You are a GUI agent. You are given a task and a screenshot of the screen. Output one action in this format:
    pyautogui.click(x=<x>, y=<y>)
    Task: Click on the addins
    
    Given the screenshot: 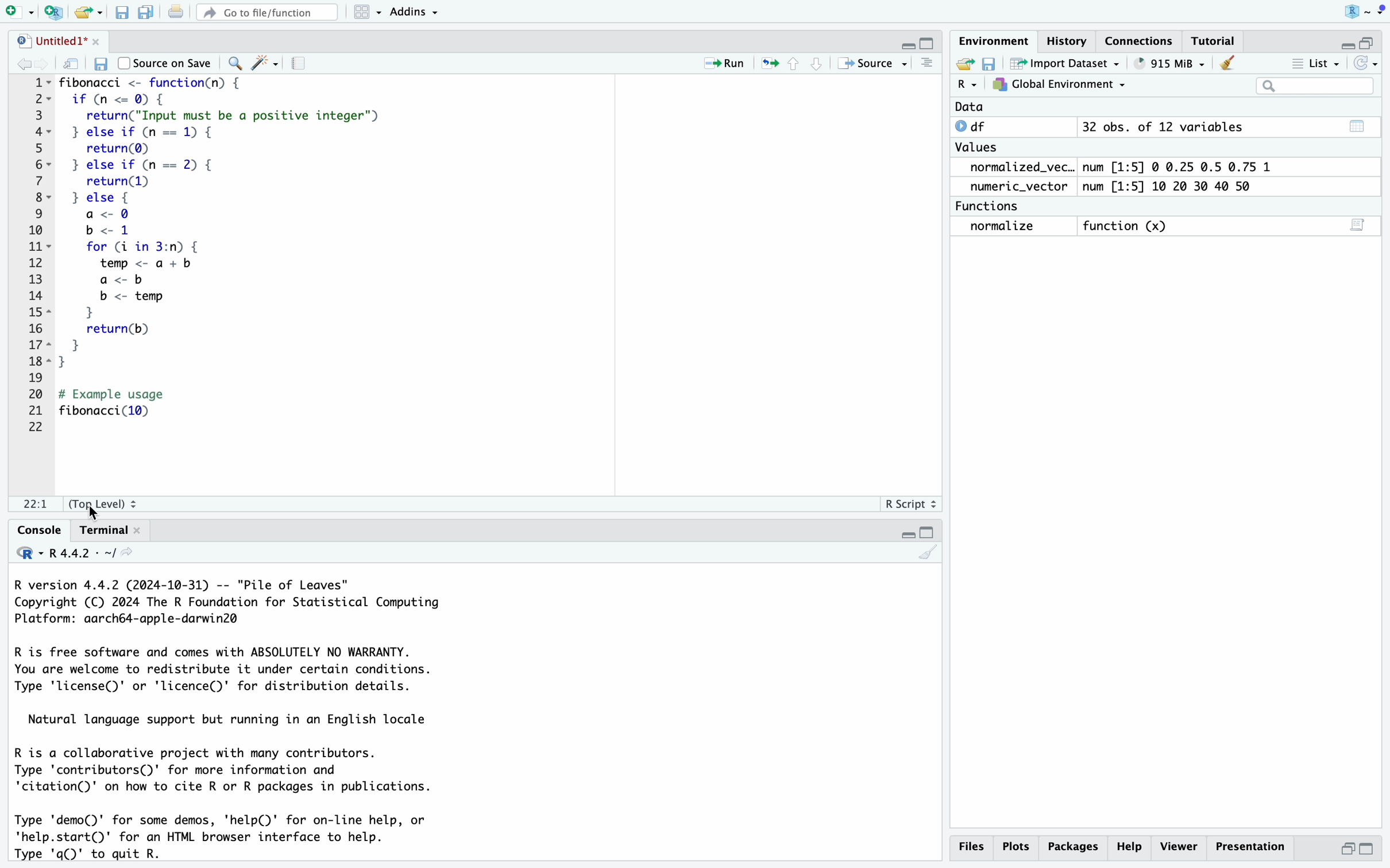 What is the action you would take?
    pyautogui.click(x=416, y=12)
    